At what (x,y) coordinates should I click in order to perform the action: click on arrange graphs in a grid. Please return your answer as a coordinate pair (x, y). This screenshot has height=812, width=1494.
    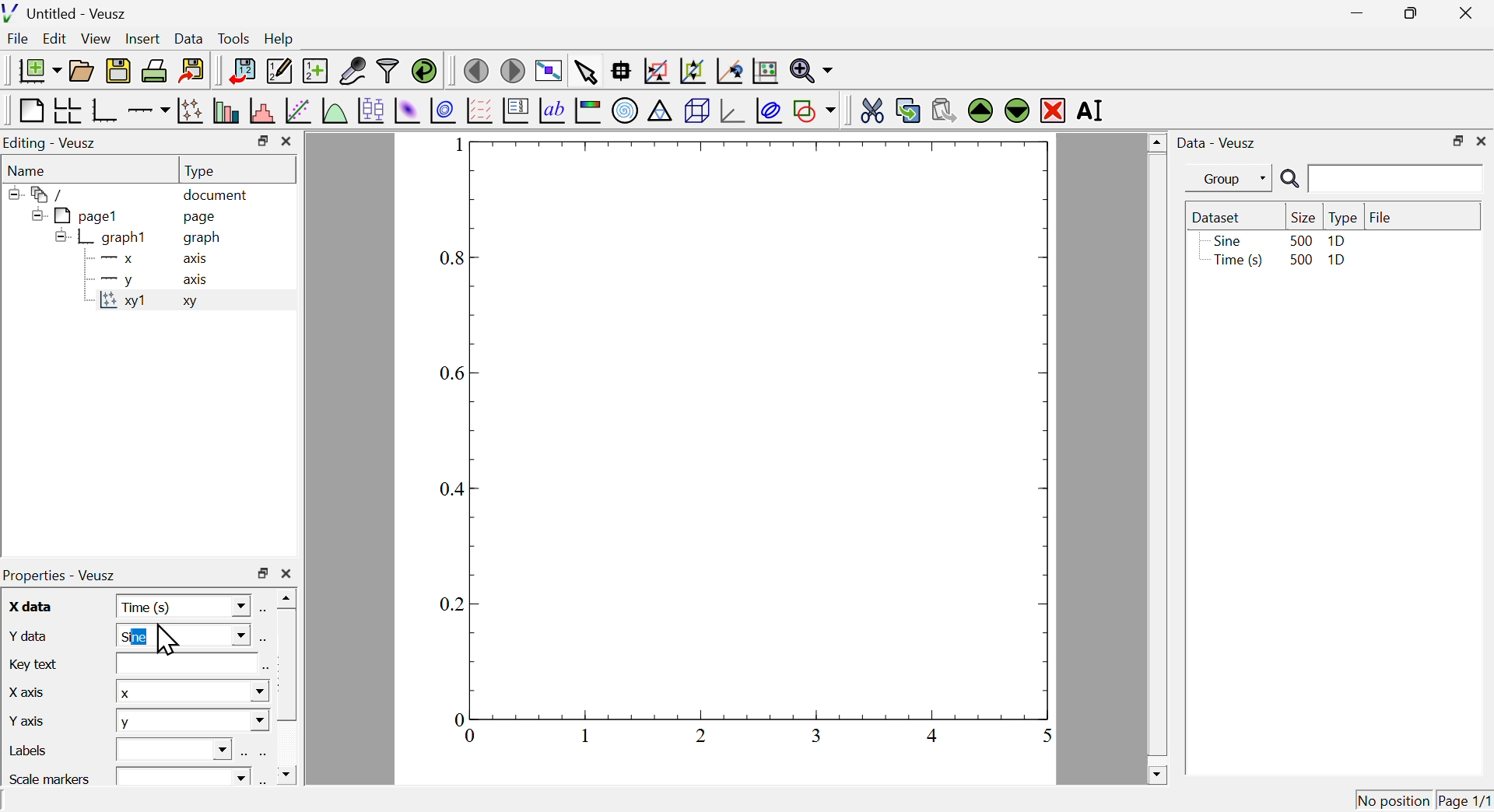
    Looking at the image, I should click on (67, 111).